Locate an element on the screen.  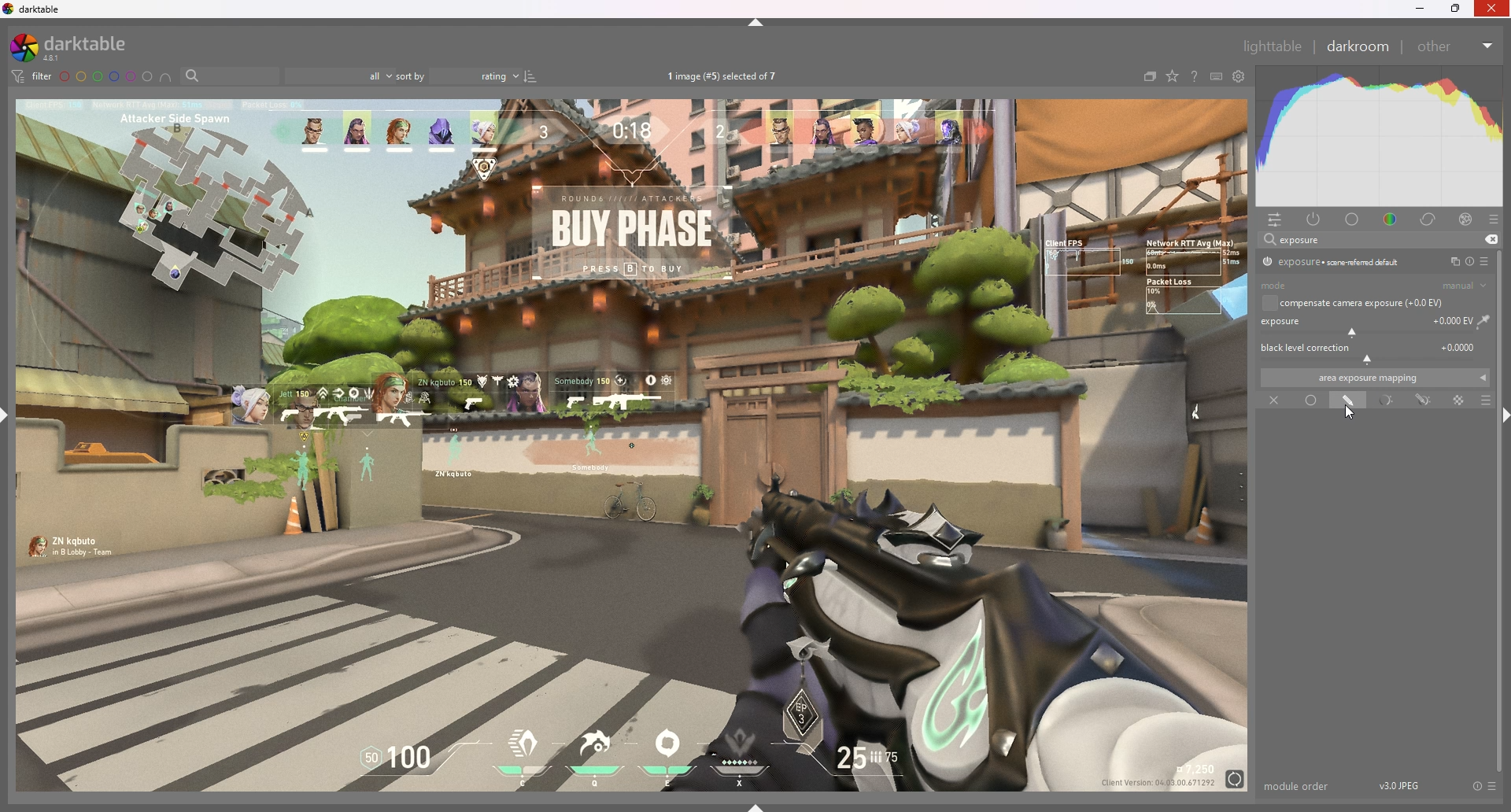
active module is located at coordinates (1316, 220).